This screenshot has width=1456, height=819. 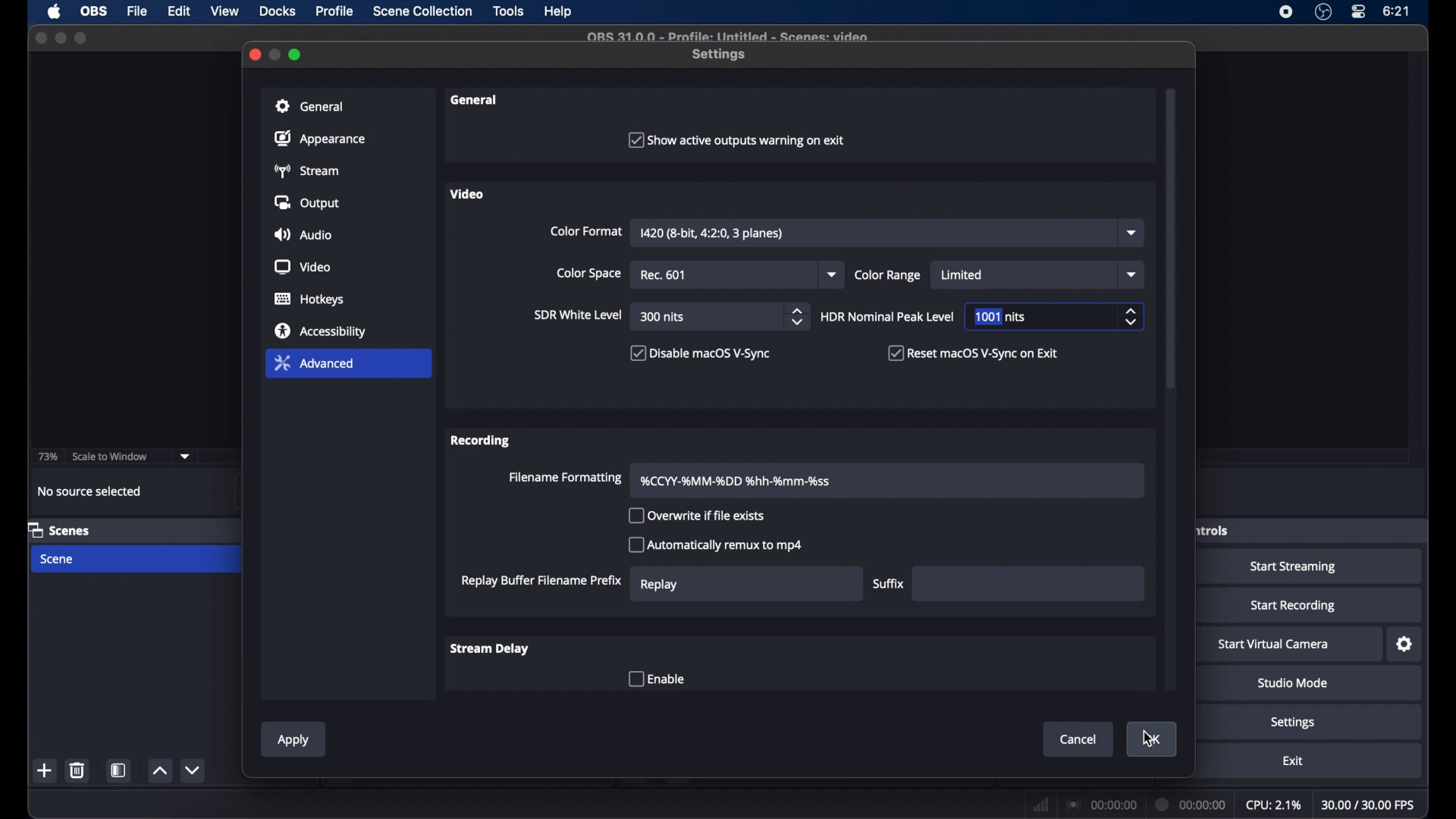 I want to click on audio, so click(x=303, y=234).